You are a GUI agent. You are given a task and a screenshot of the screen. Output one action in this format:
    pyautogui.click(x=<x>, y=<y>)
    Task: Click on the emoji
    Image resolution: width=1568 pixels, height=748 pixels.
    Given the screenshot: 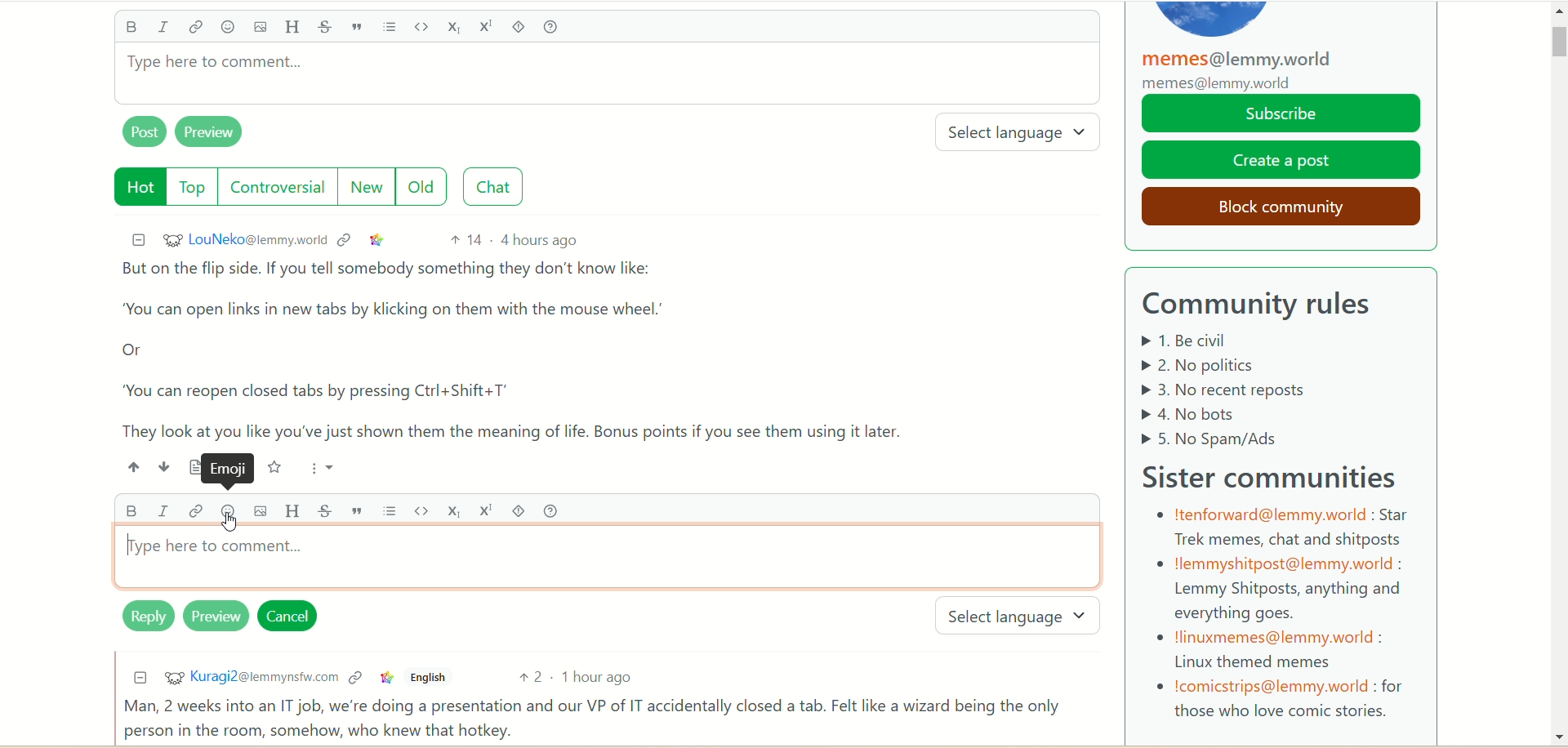 What is the action you would take?
    pyautogui.click(x=227, y=28)
    